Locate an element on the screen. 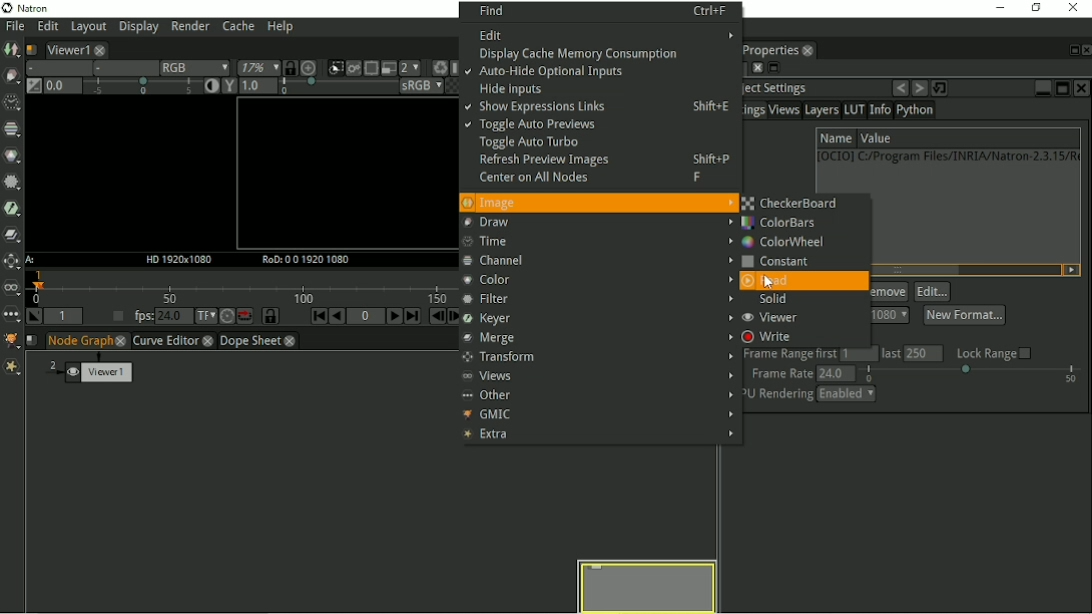 Image resolution: width=1092 pixels, height=614 pixels. Layout is located at coordinates (88, 27).